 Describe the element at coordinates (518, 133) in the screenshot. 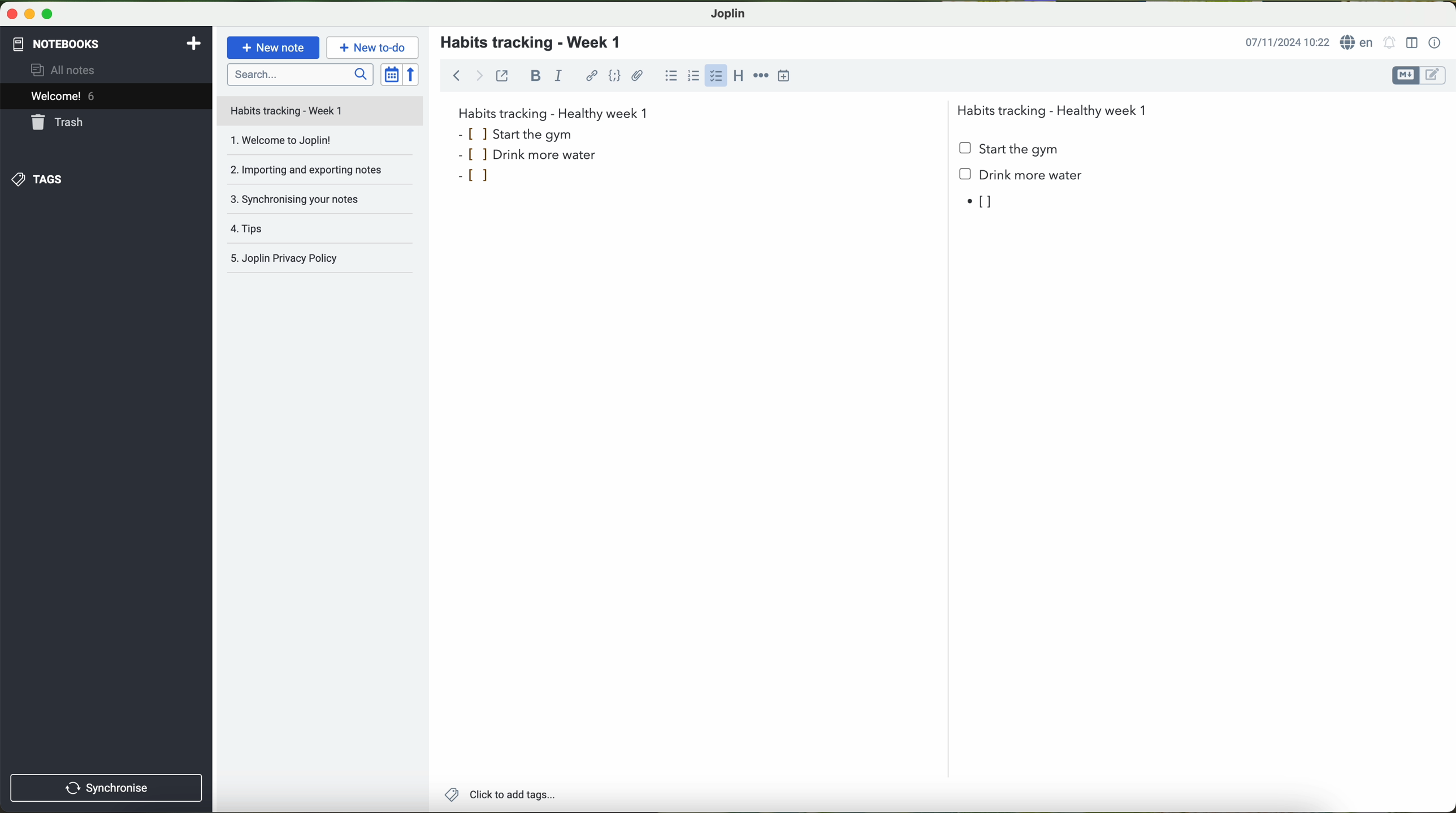

I see `start the gym` at that location.